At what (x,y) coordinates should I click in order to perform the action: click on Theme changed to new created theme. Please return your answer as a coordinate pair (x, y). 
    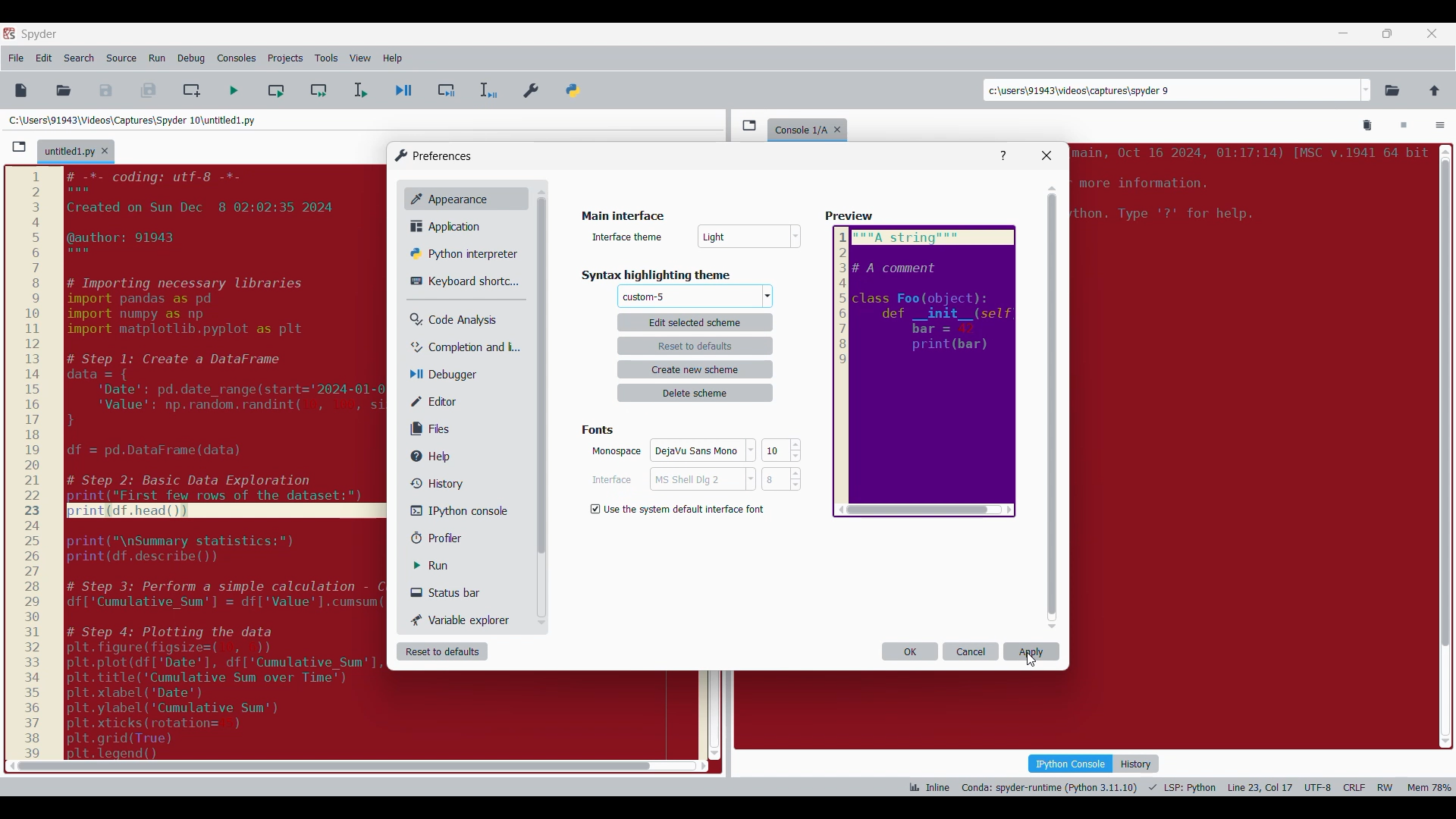
    Looking at the image, I should click on (645, 297).